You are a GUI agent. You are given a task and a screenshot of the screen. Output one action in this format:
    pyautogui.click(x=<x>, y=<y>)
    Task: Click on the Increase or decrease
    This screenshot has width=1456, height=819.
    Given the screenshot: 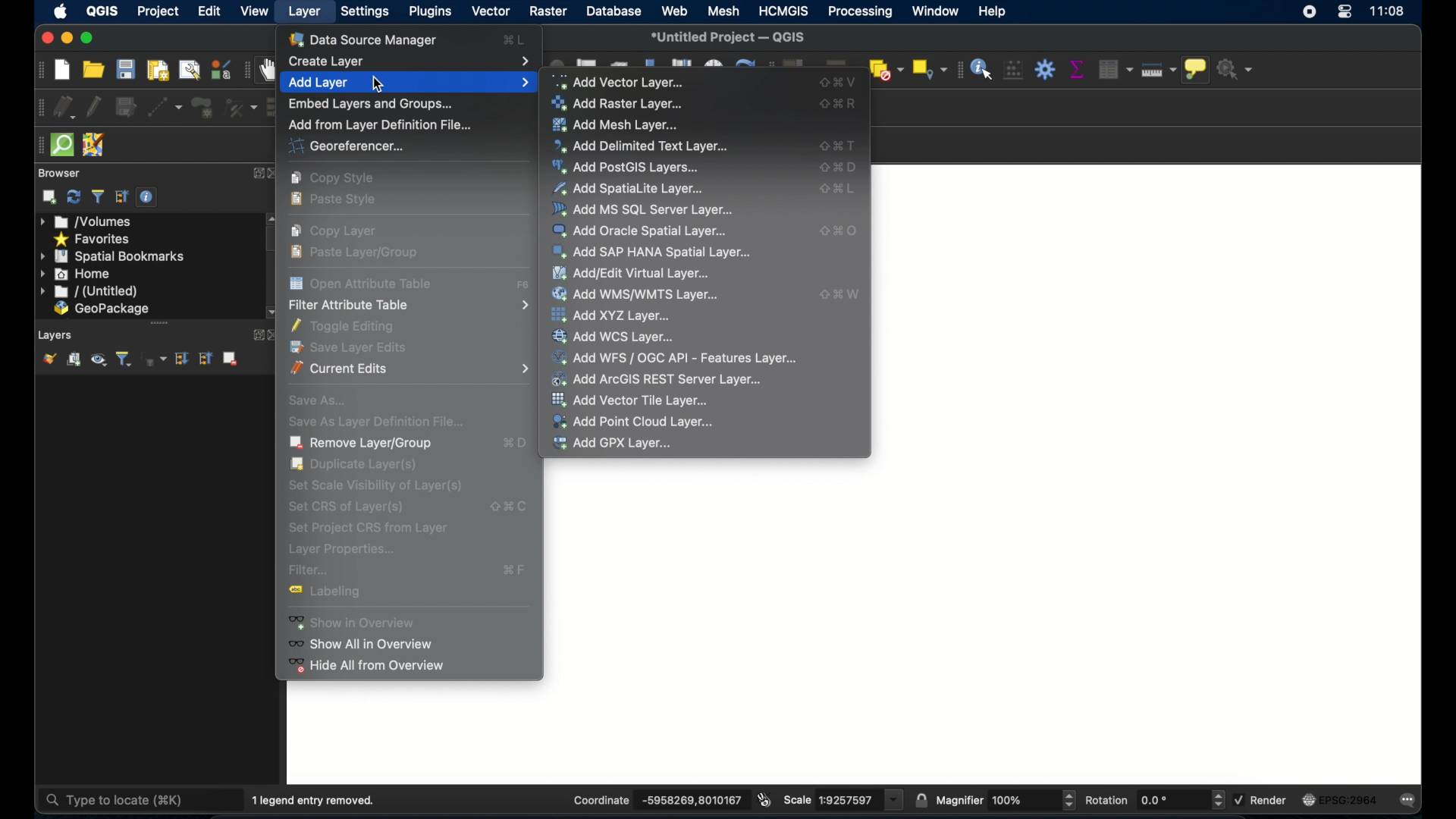 What is the action you would take?
    pyautogui.click(x=1217, y=800)
    